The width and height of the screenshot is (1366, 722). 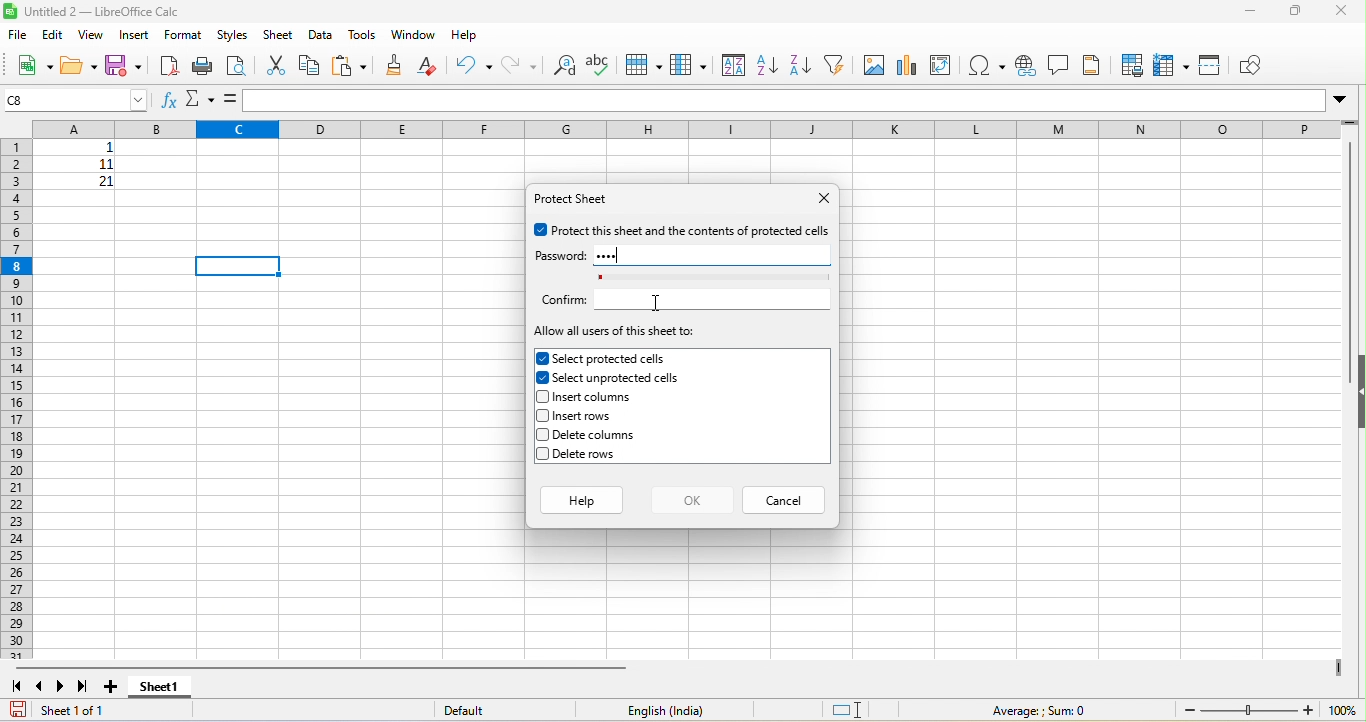 What do you see at coordinates (1351, 125) in the screenshot?
I see `drag to view more rows` at bounding box center [1351, 125].